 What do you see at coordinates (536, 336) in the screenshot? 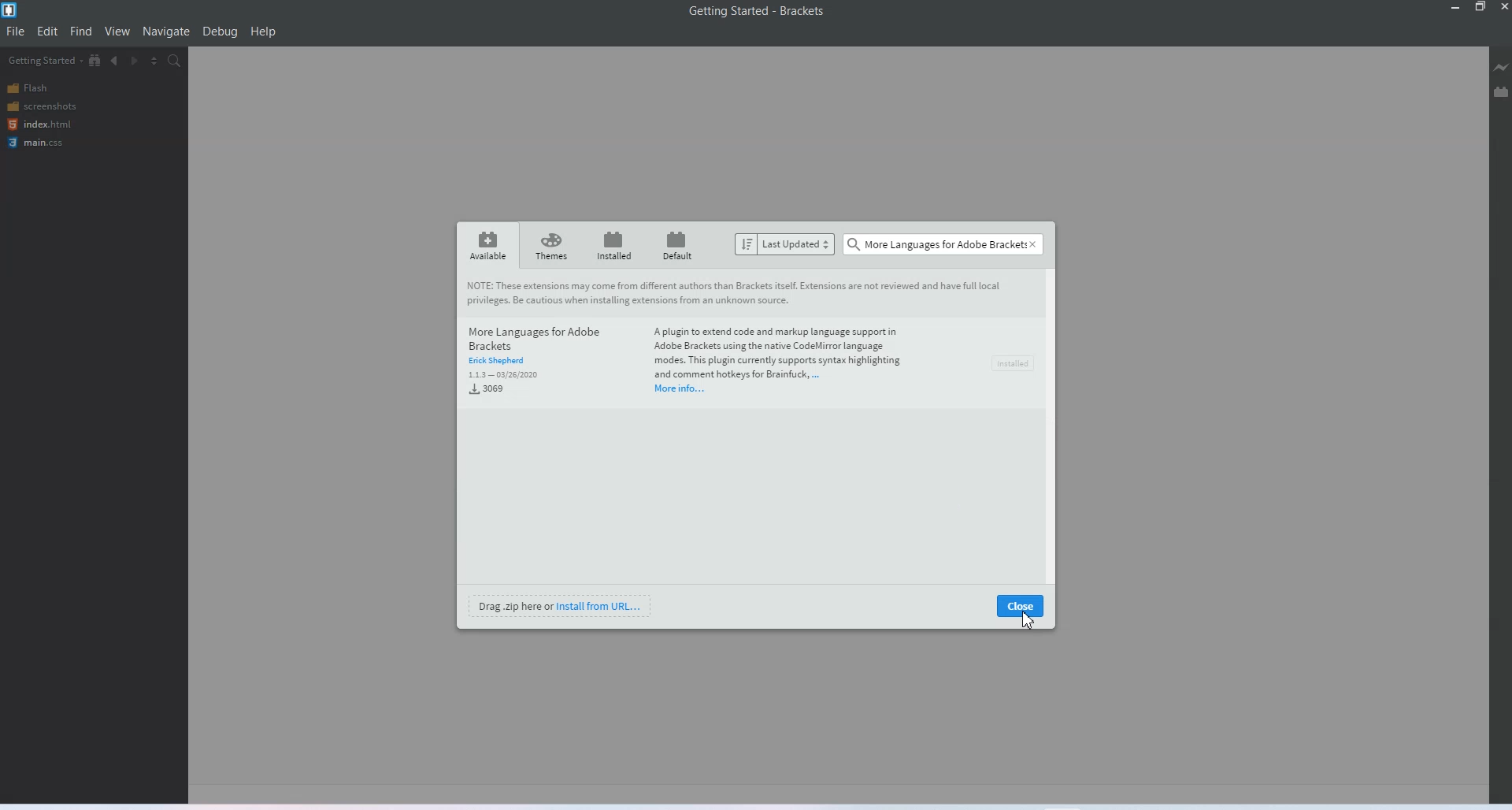
I see `And more language for adobe brackets` at bounding box center [536, 336].